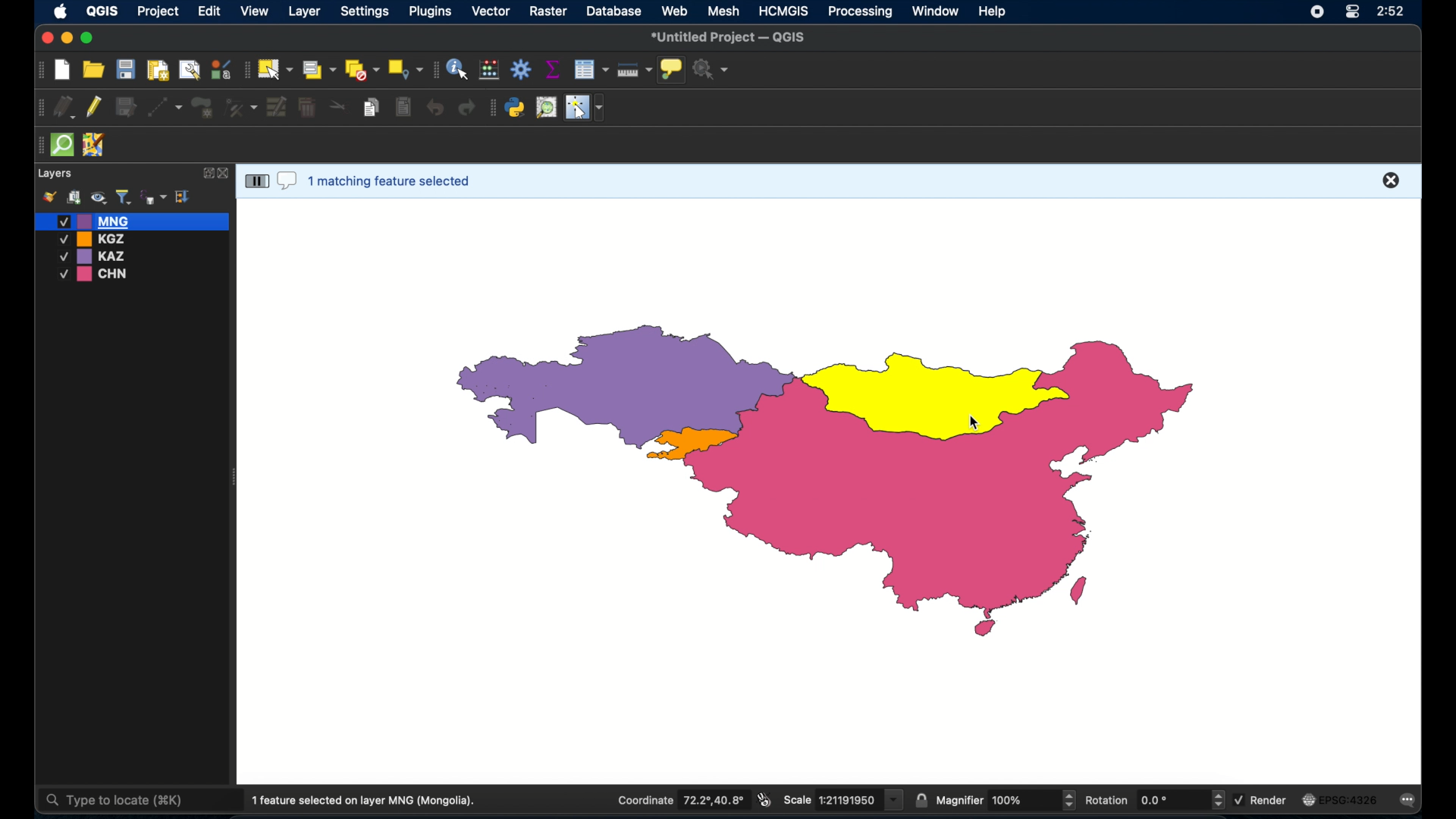 This screenshot has width=1456, height=819. Describe the element at coordinates (188, 69) in the screenshot. I see `open layout manager` at that location.